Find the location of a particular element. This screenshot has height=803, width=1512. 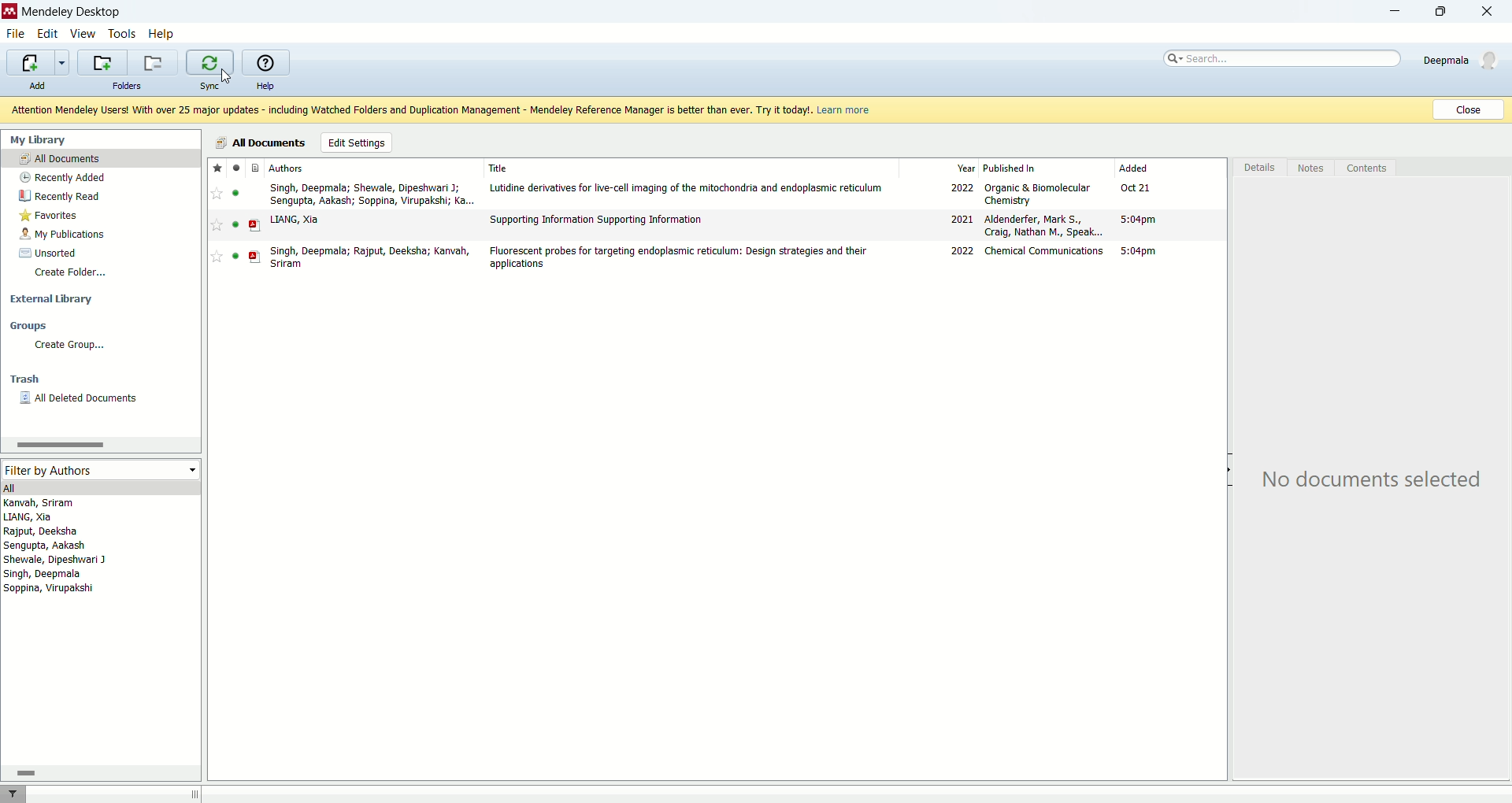

sync is located at coordinates (210, 86).